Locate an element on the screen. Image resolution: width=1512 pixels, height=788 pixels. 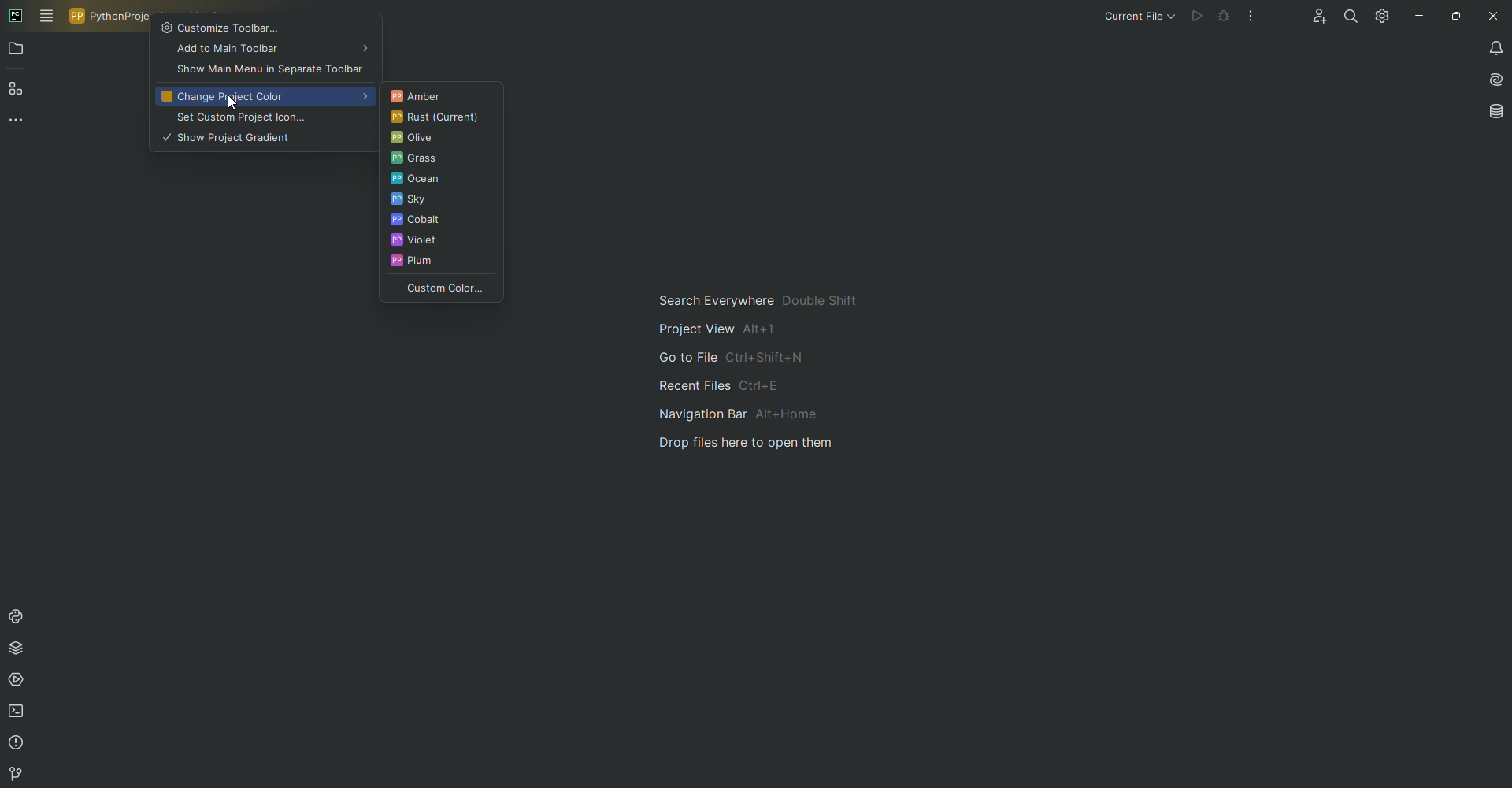
Project is located at coordinates (17, 50).